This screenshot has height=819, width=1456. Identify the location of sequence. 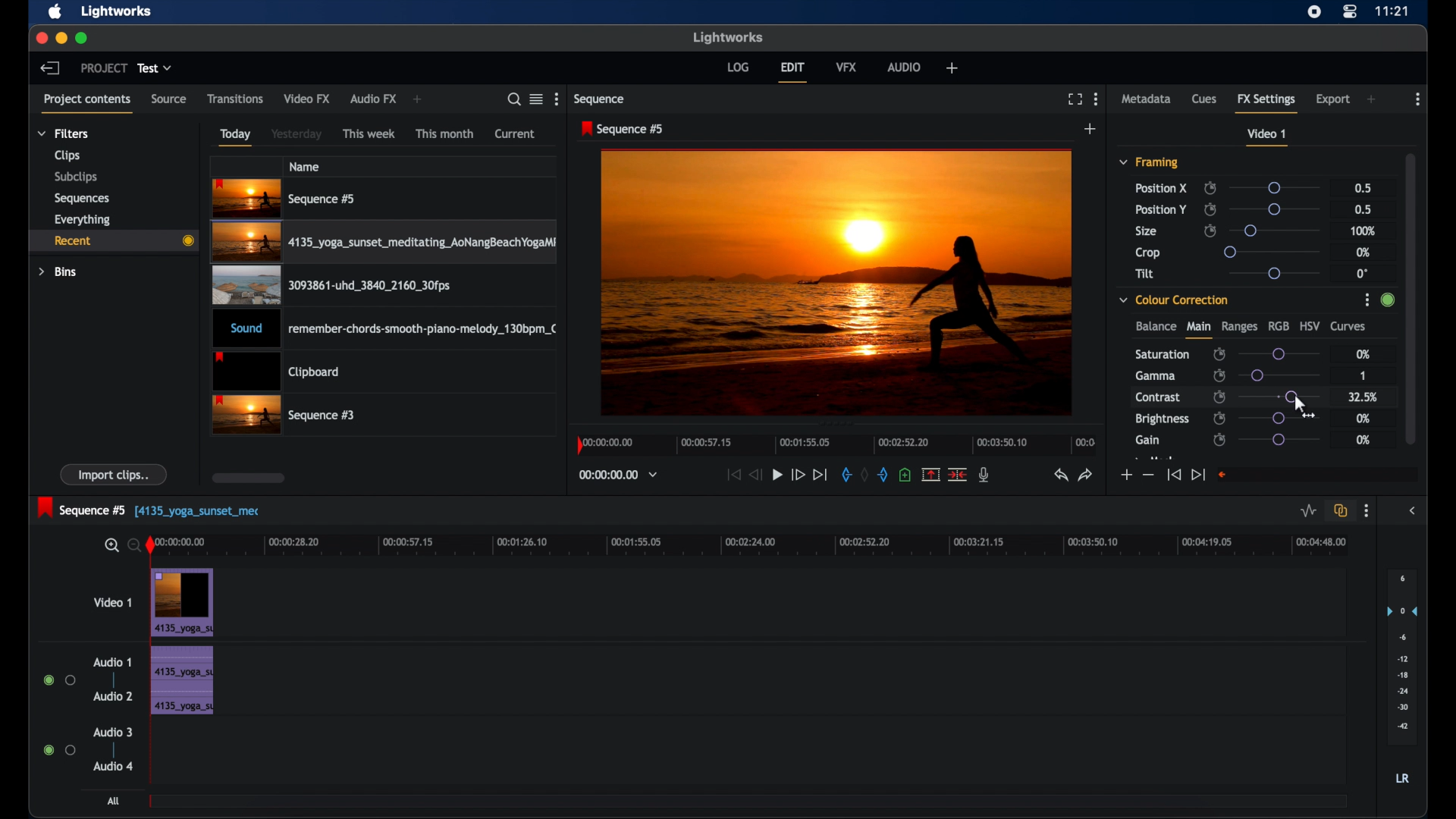
(601, 99).